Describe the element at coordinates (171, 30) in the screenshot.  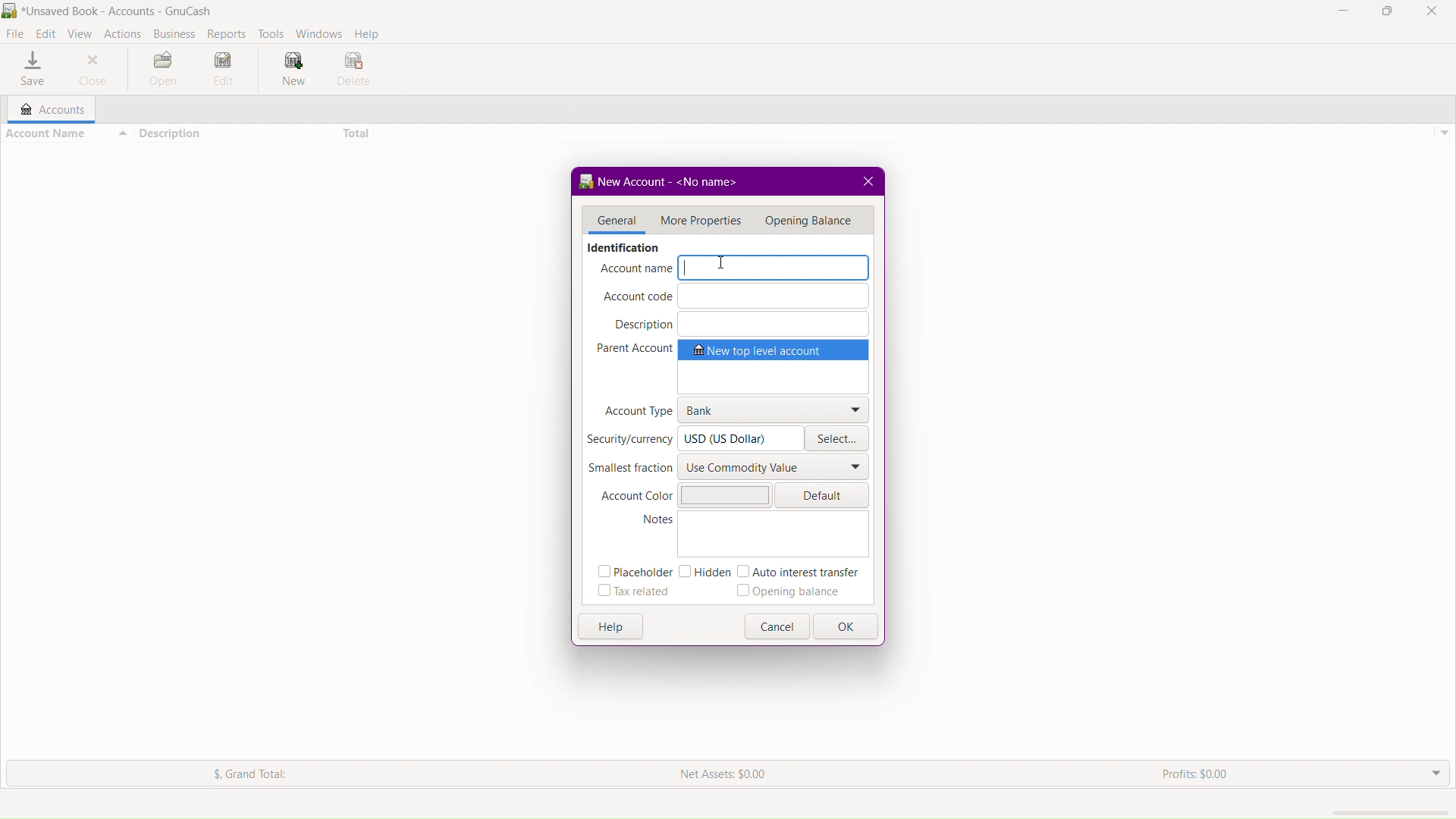
I see `Business` at that location.